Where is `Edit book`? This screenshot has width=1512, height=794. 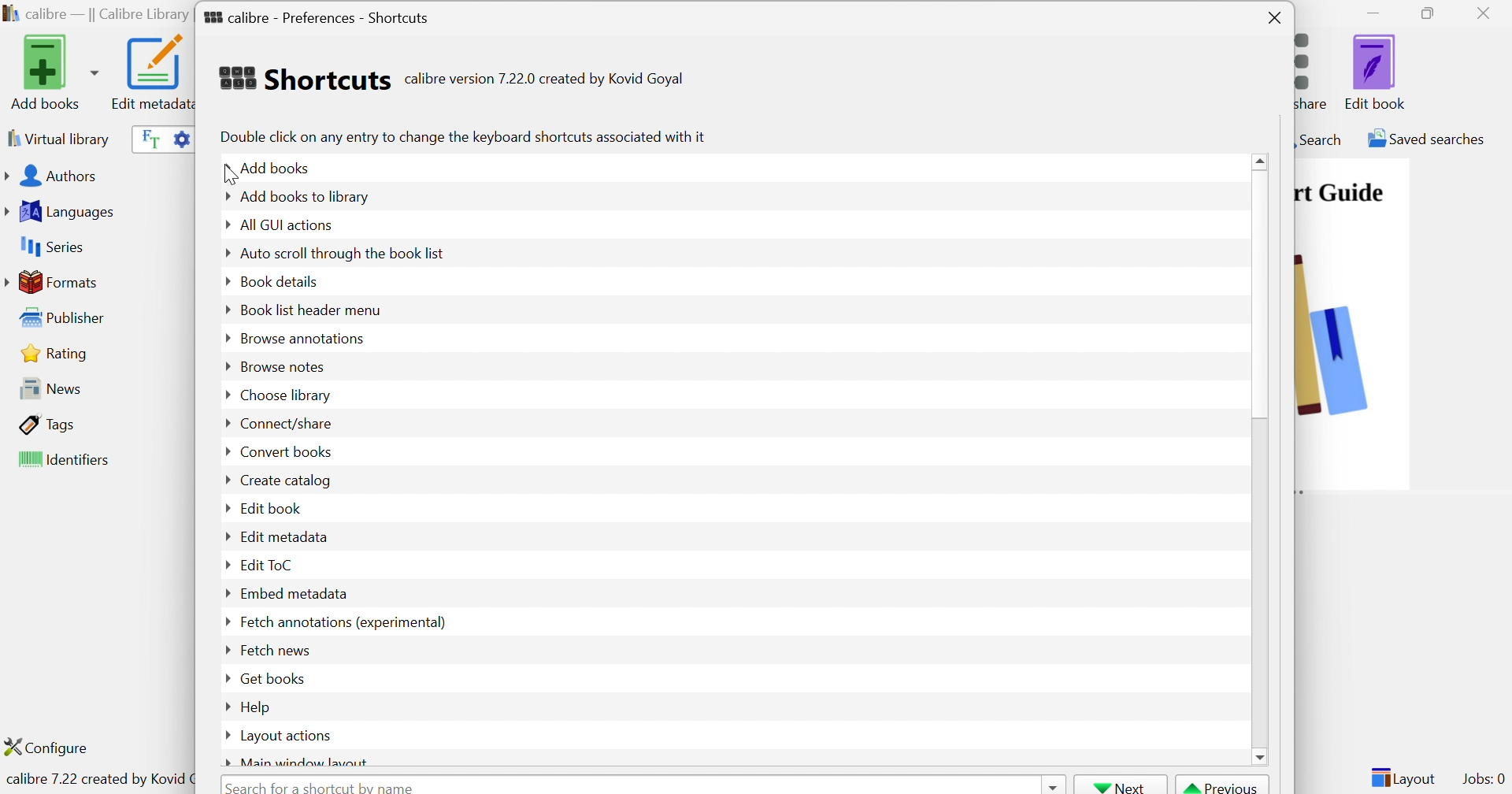 Edit book is located at coordinates (272, 507).